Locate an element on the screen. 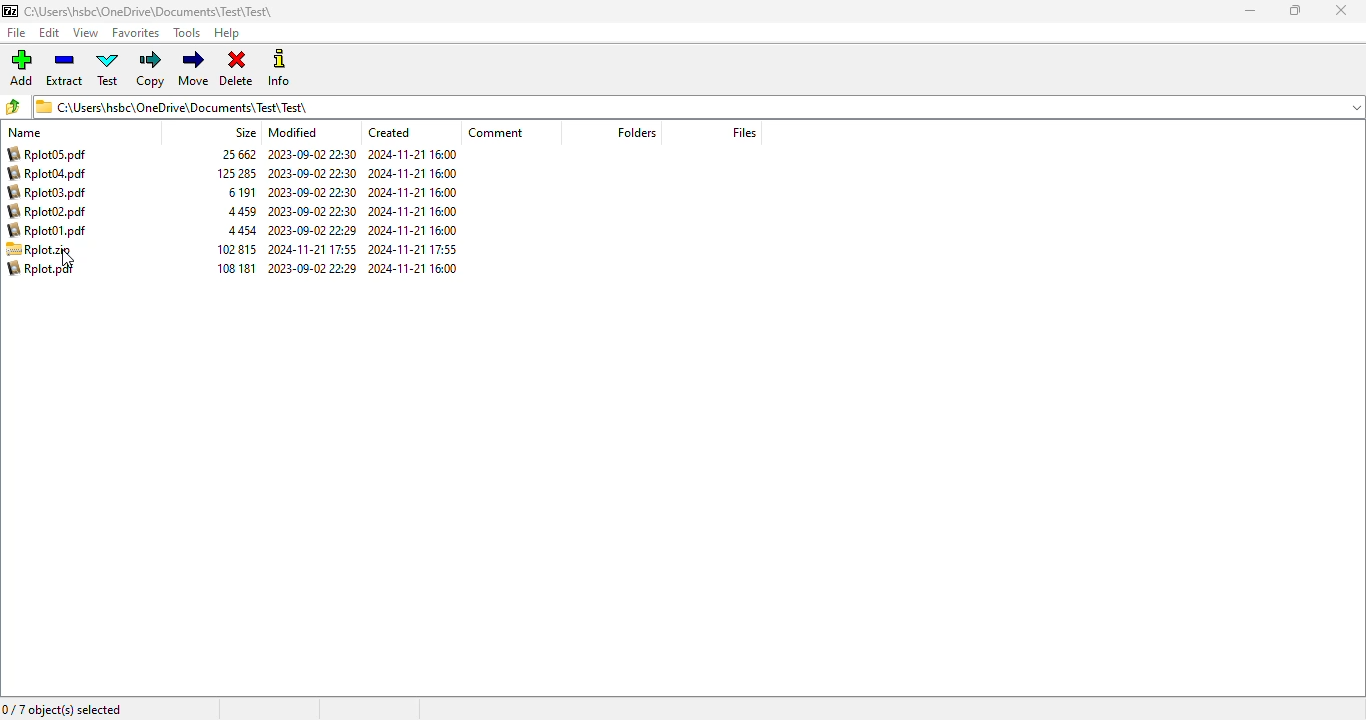  move is located at coordinates (193, 68).